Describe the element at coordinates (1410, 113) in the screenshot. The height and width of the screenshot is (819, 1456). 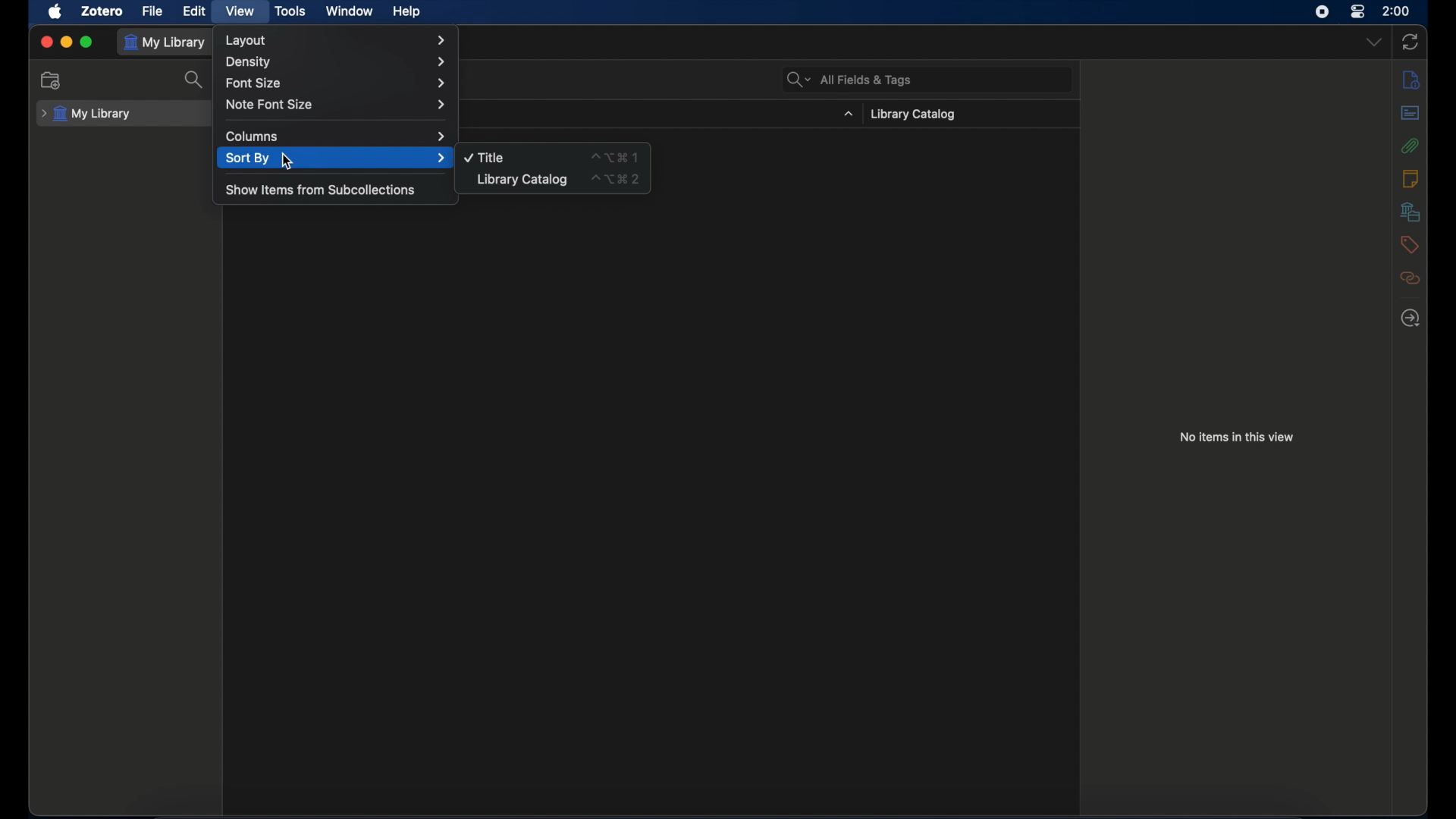
I see `abstract` at that location.